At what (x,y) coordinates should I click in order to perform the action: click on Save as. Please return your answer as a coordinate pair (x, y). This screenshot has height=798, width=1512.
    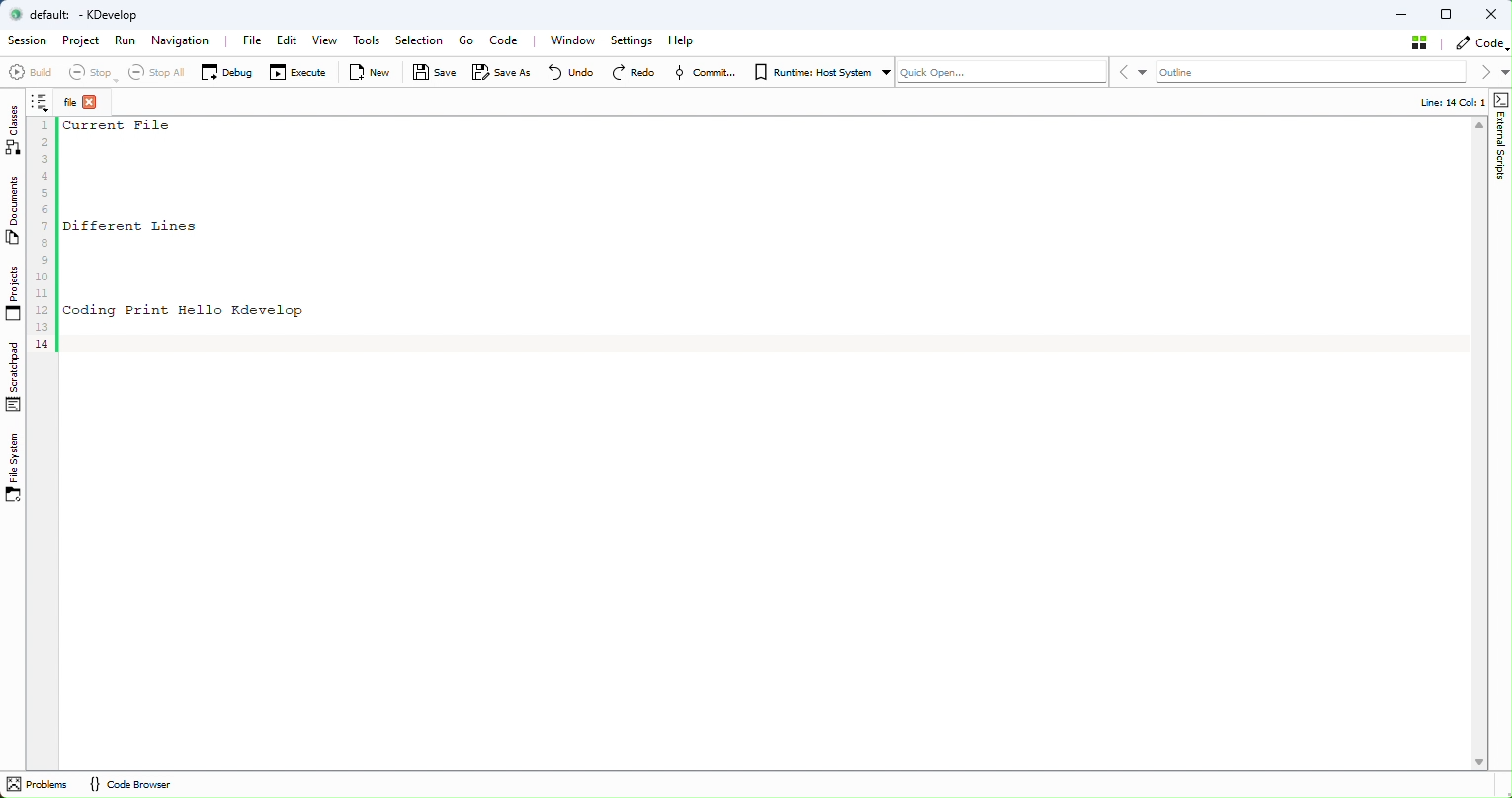
    Looking at the image, I should click on (500, 74).